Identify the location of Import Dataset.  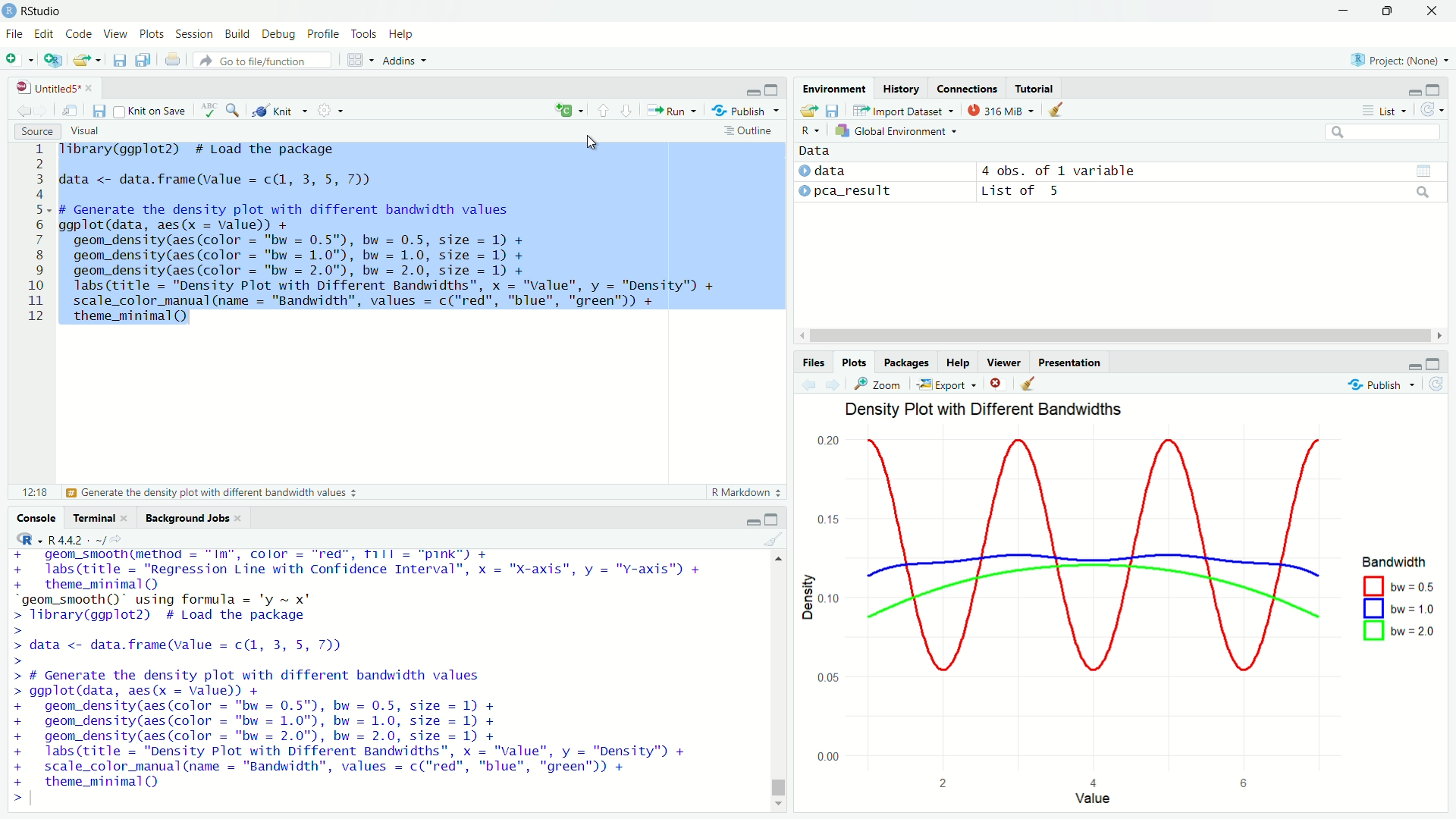
(905, 110).